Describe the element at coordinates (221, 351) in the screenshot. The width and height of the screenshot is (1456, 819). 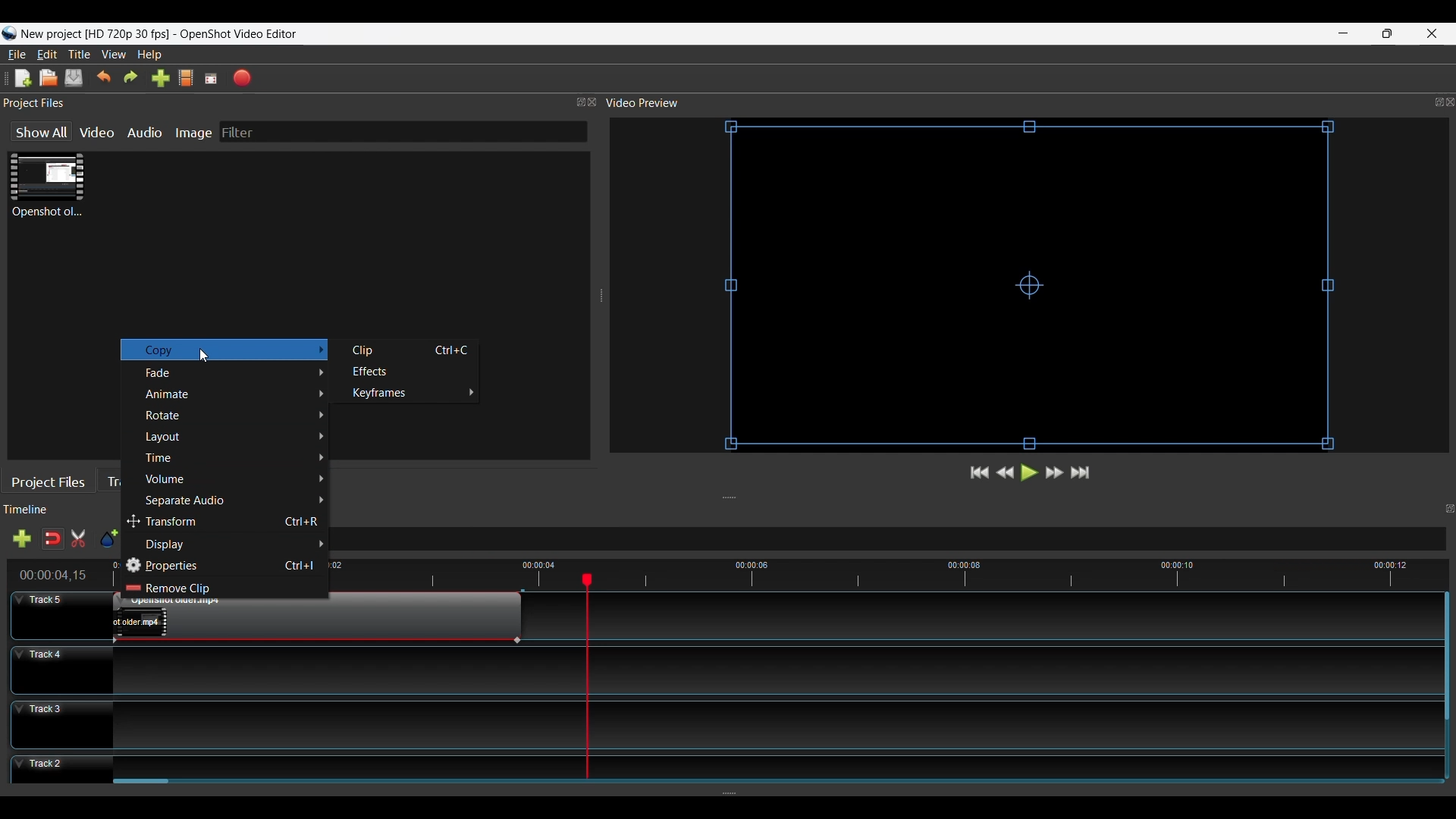
I see `Copy` at that location.